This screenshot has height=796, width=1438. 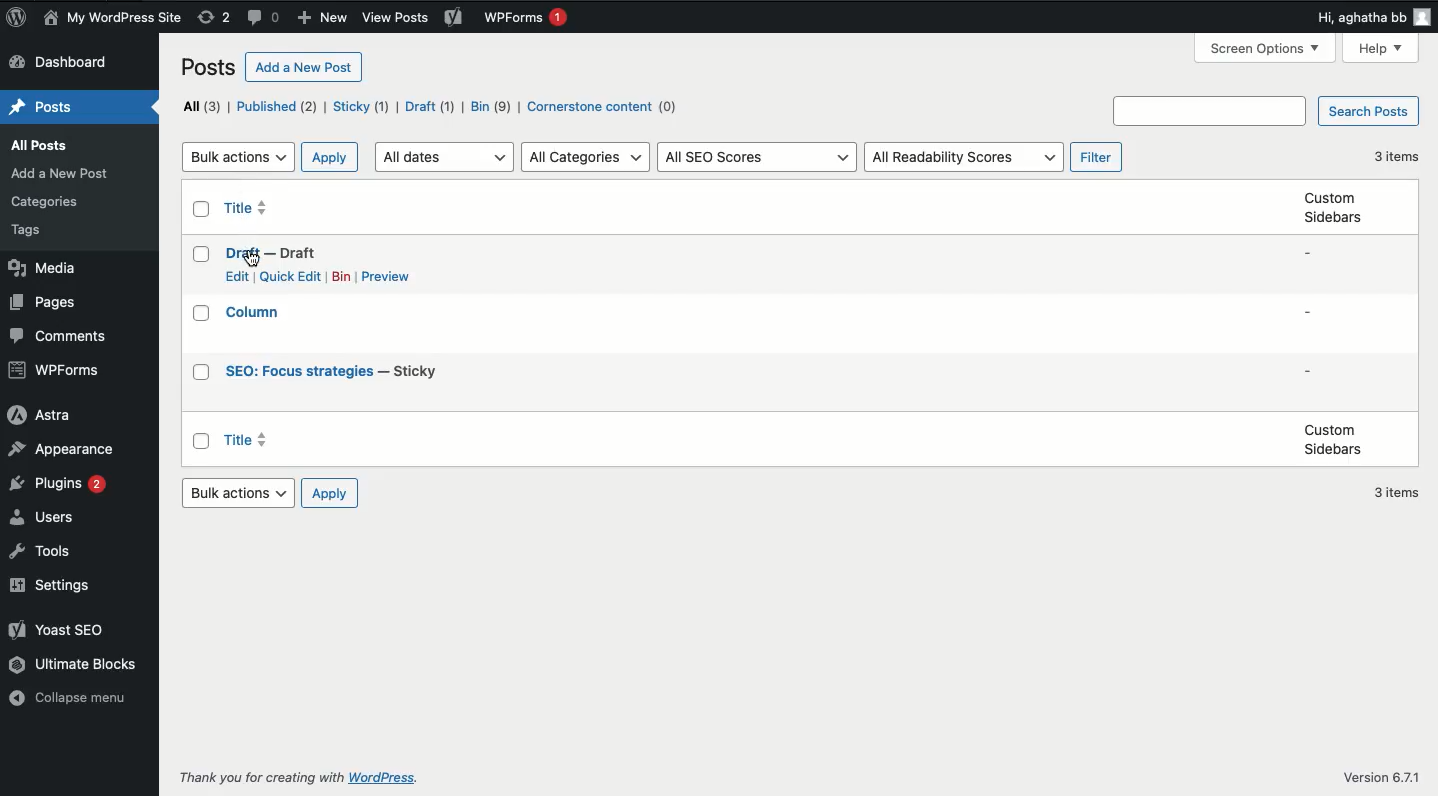 I want to click on All dates, so click(x=445, y=157).